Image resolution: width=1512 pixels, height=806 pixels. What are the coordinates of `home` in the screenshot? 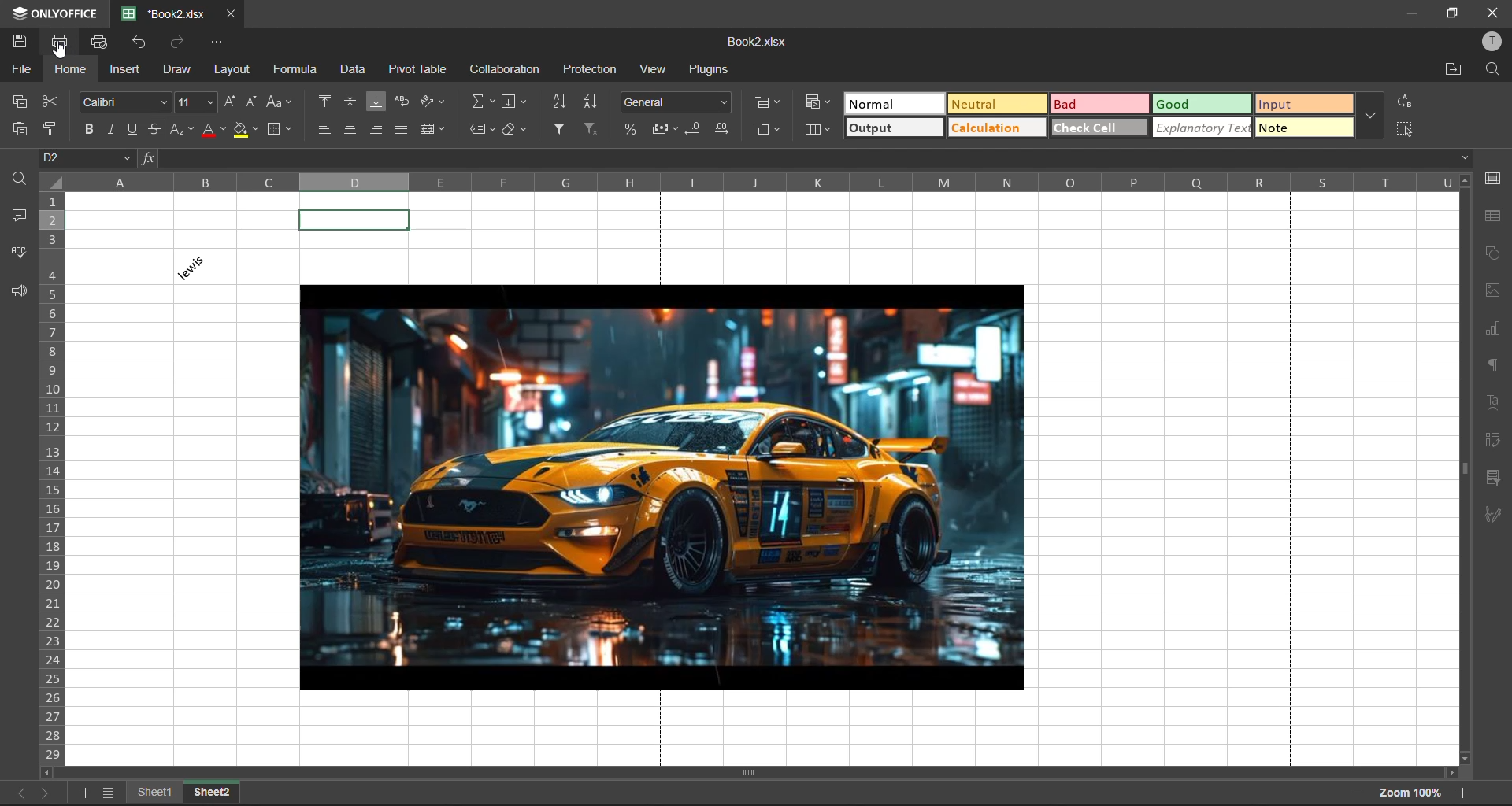 It's located at (71, 72).